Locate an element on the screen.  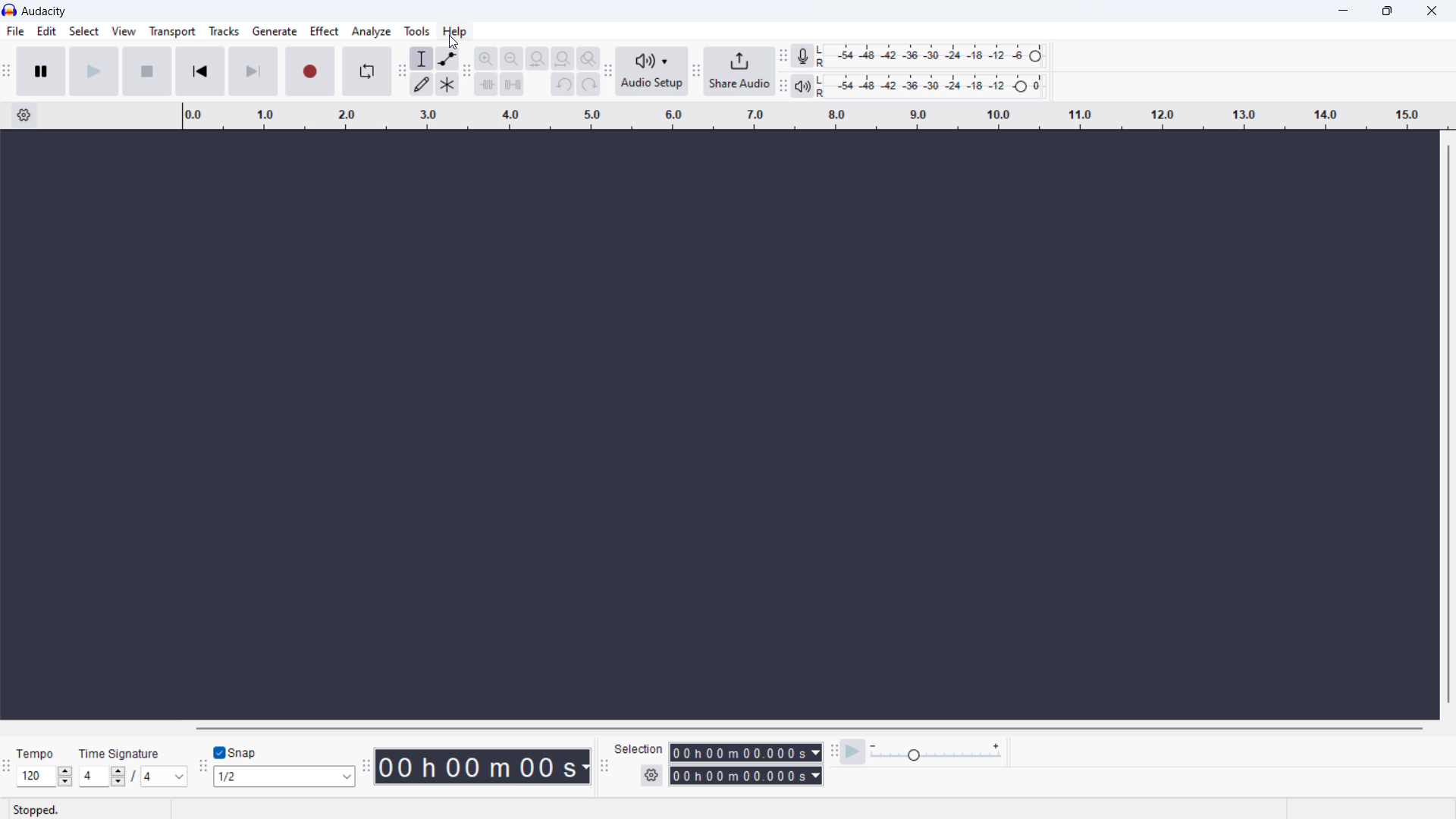
effect is located at coordinates (325, 30).